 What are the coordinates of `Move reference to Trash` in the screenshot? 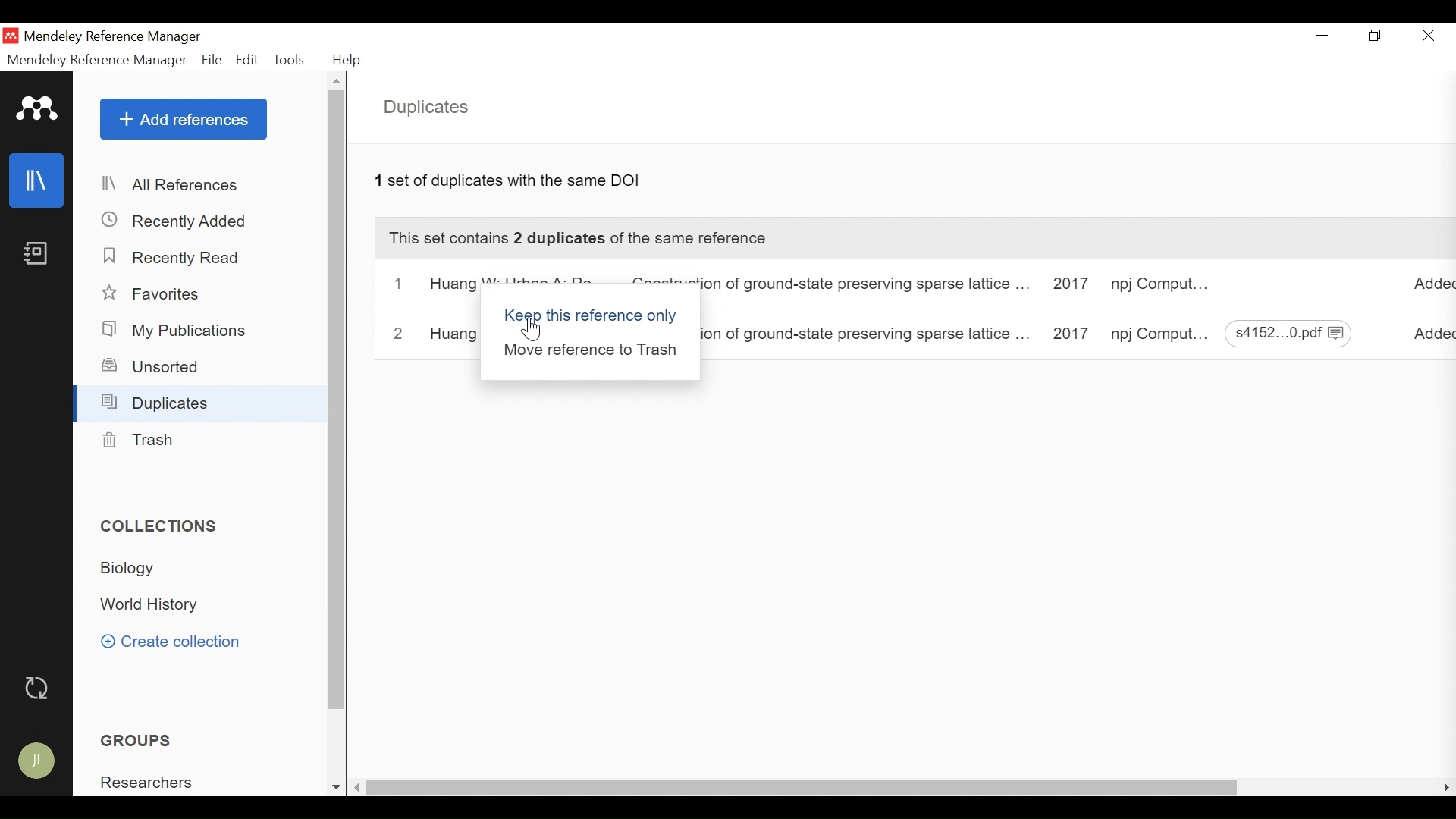 It's located at (590, 350).